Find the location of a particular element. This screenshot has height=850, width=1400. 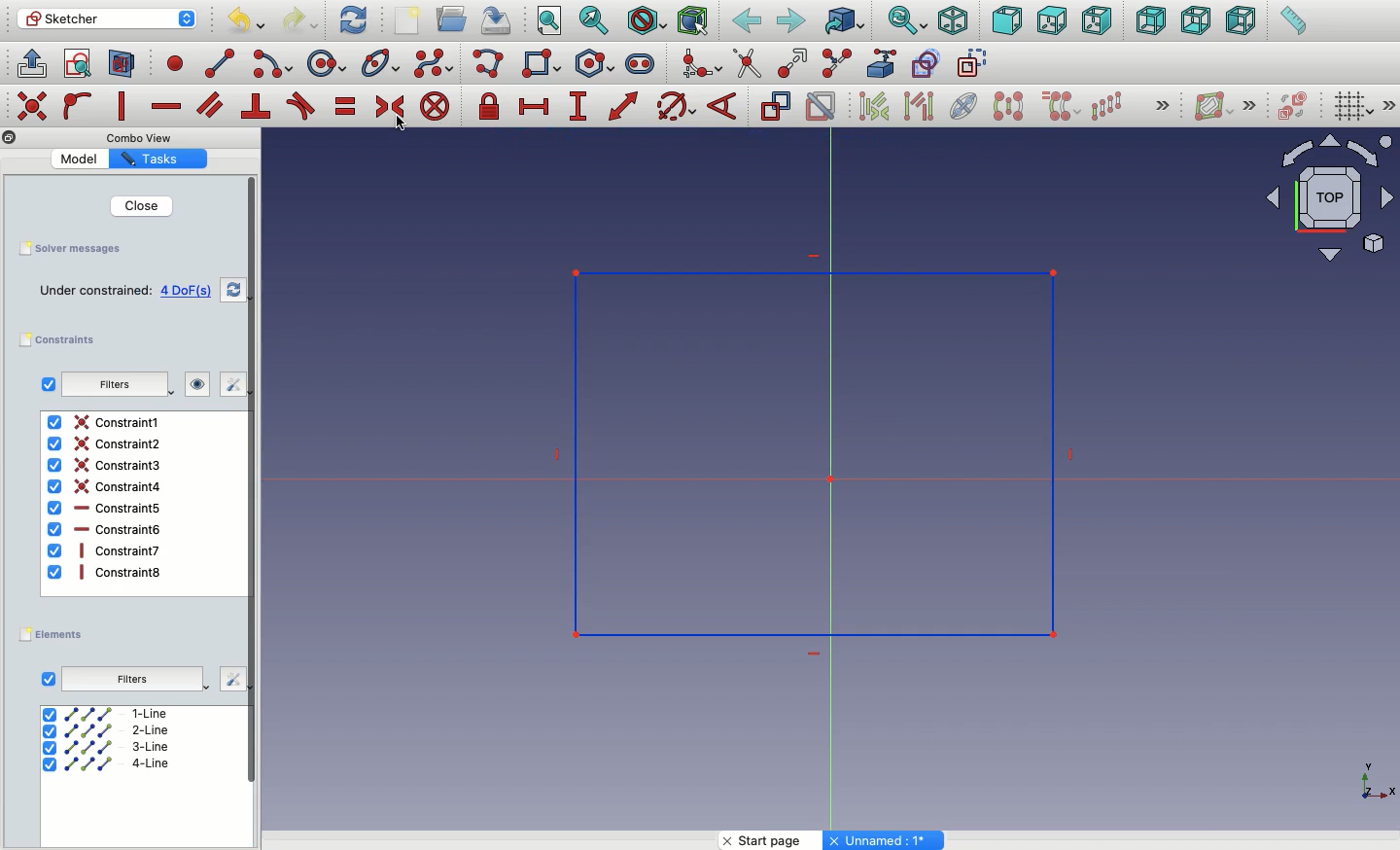

Constraint4 is located at coordinates (106, 486).